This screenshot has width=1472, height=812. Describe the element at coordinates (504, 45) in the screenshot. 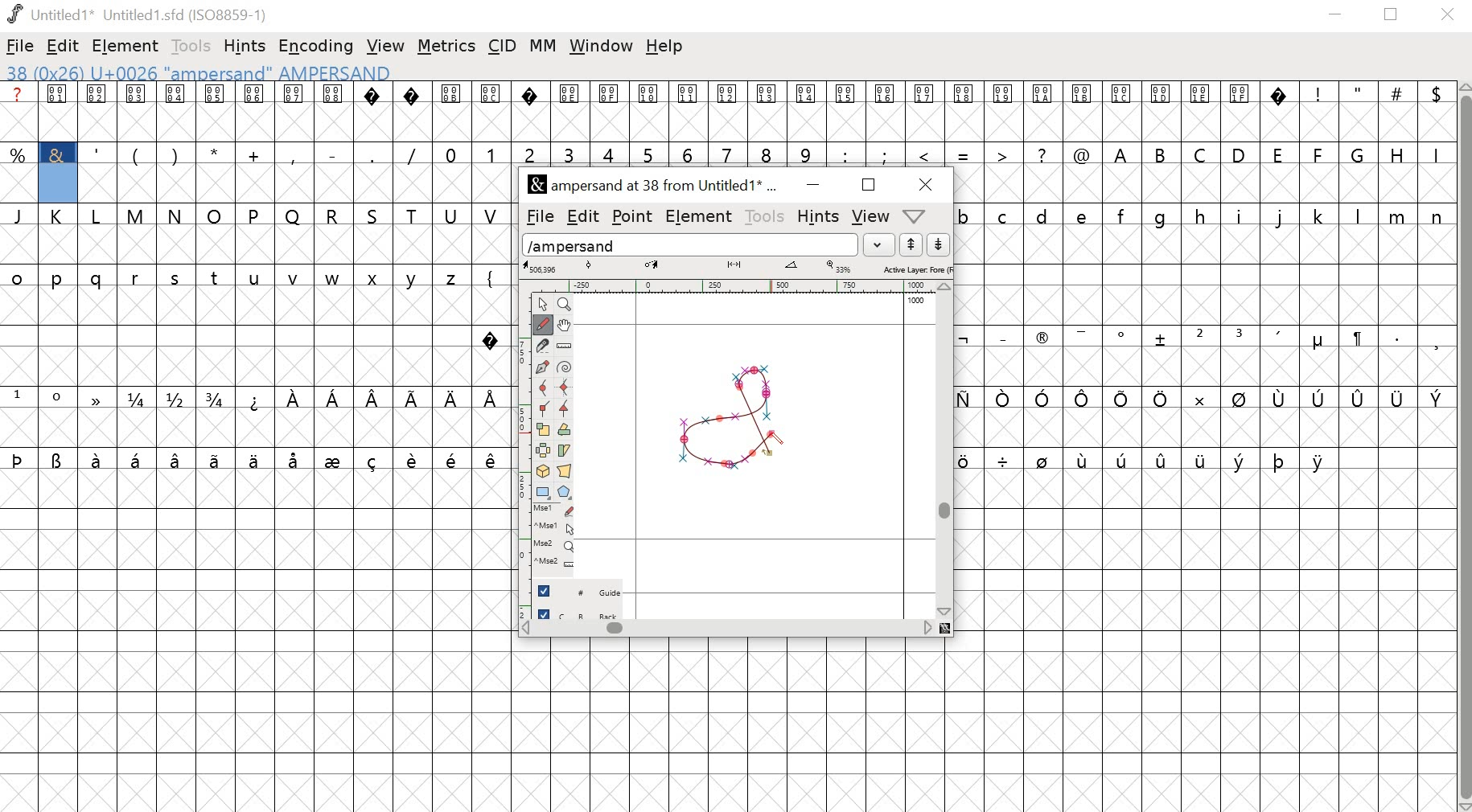

I see `cid` at that location.